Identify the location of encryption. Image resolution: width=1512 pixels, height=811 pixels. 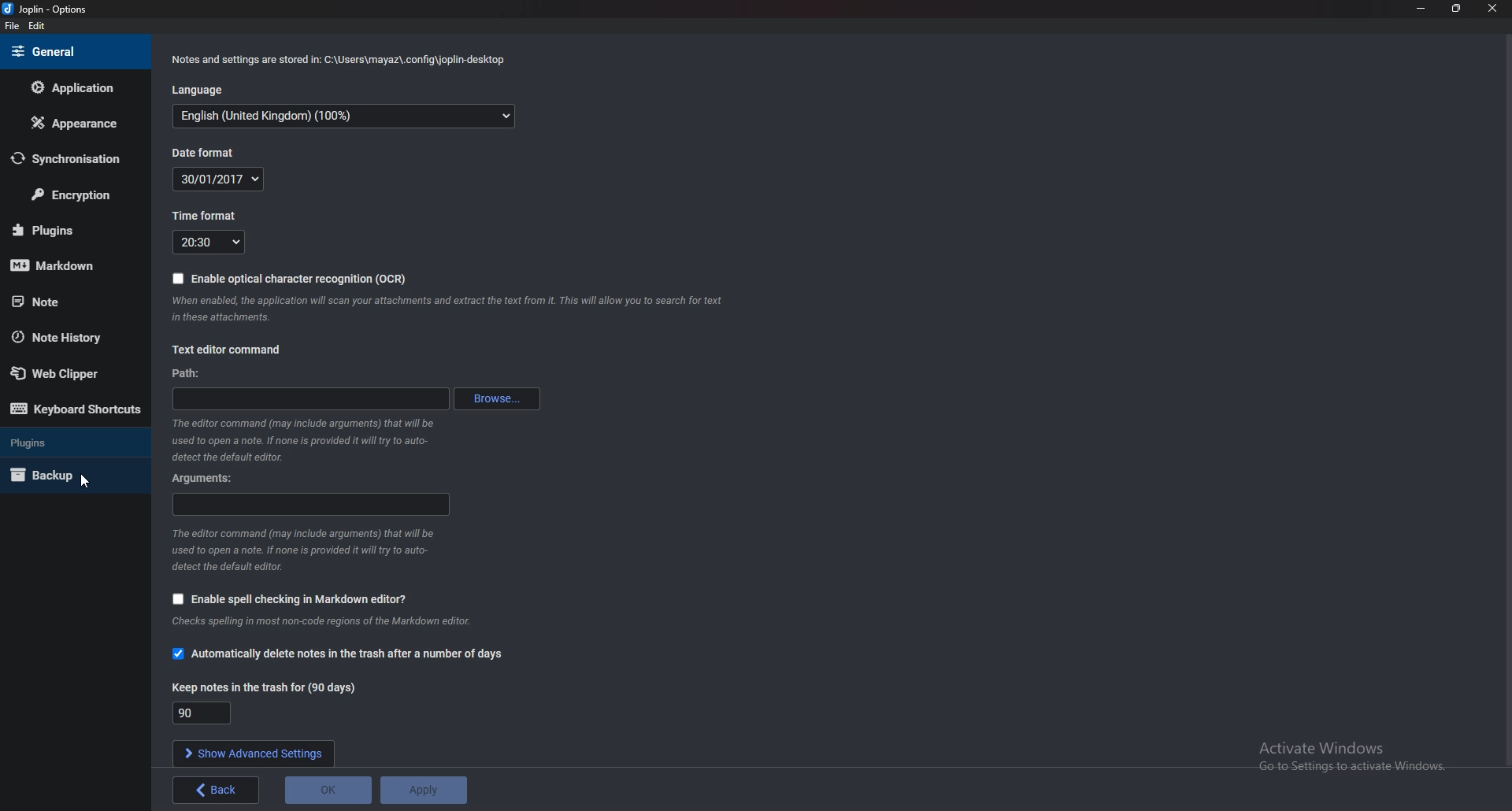
(72, 194).